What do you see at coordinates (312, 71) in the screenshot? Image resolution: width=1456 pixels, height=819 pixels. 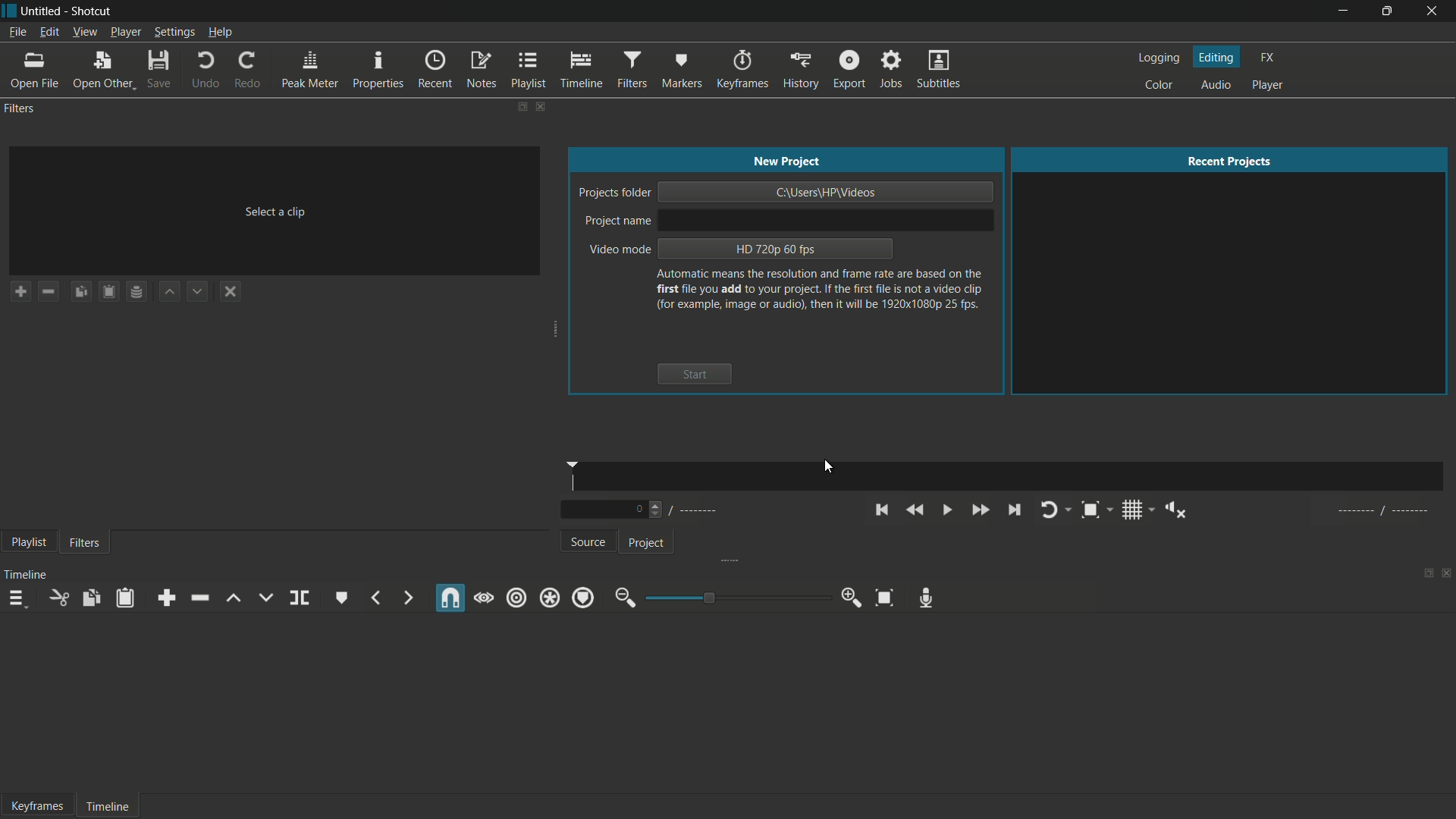 I see `peak meter` at bounding box center [312, 71].